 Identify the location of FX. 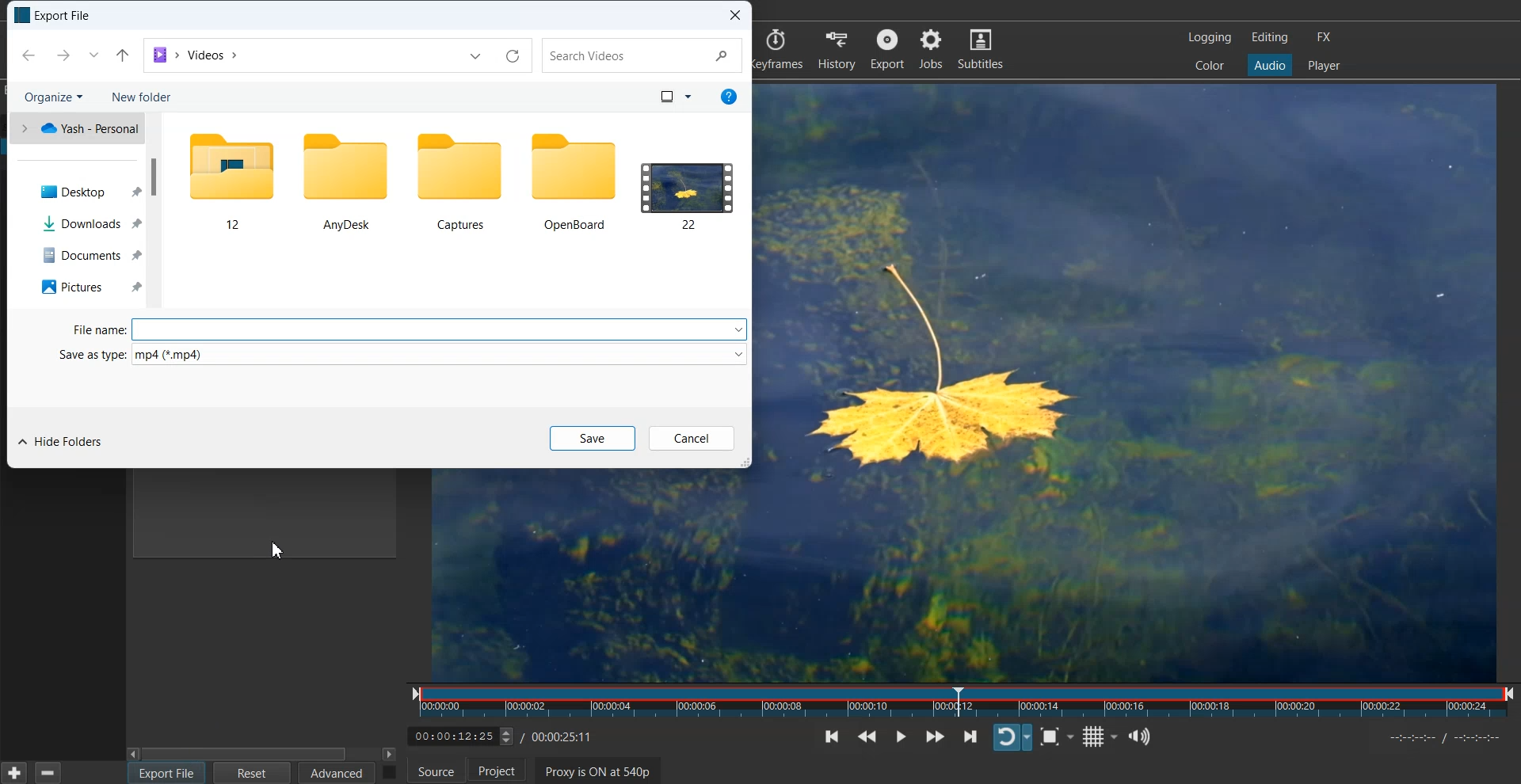
(1322, 37).